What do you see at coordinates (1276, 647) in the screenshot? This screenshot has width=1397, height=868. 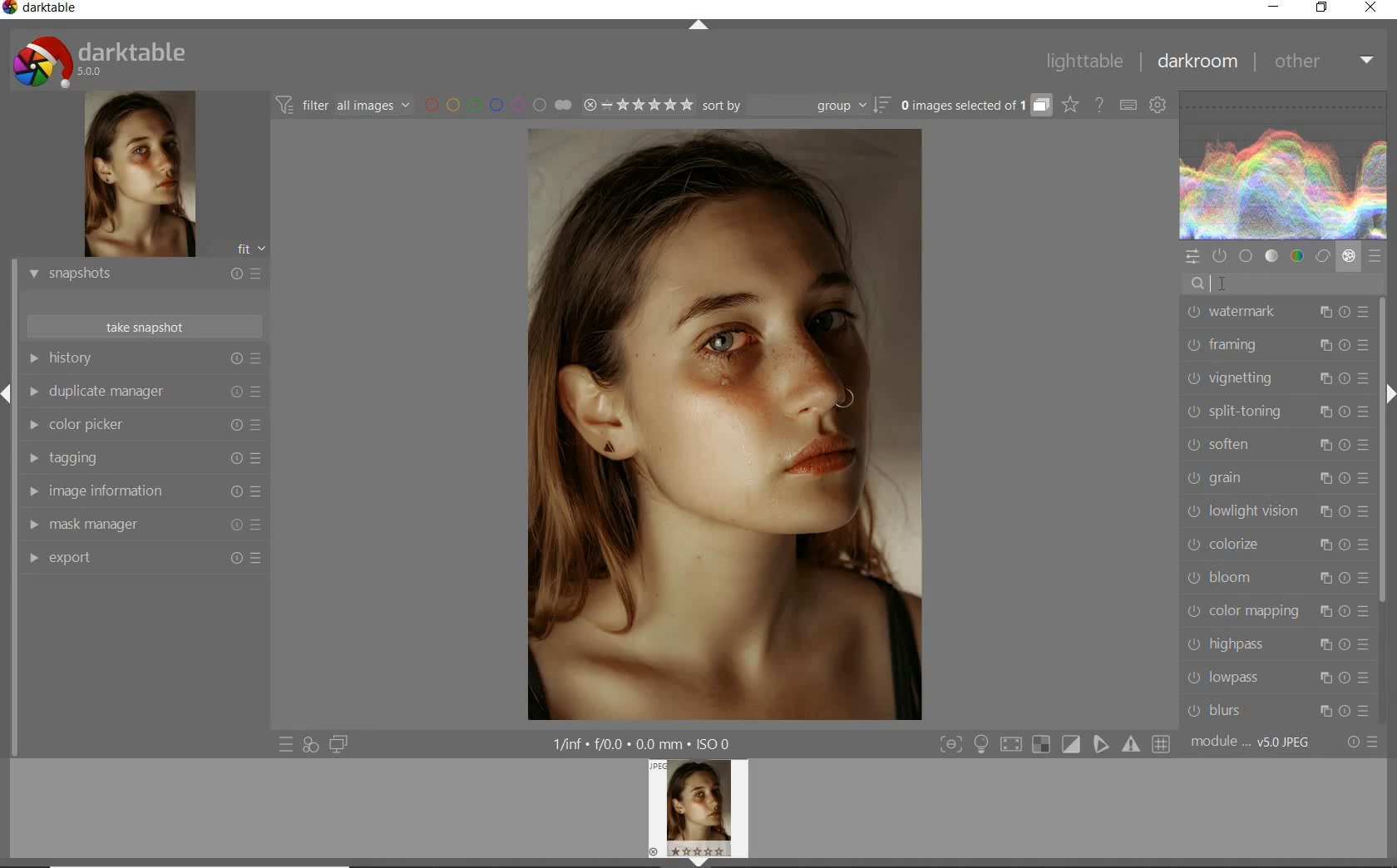 I see `highpass` at bounding box center [1276, 647].